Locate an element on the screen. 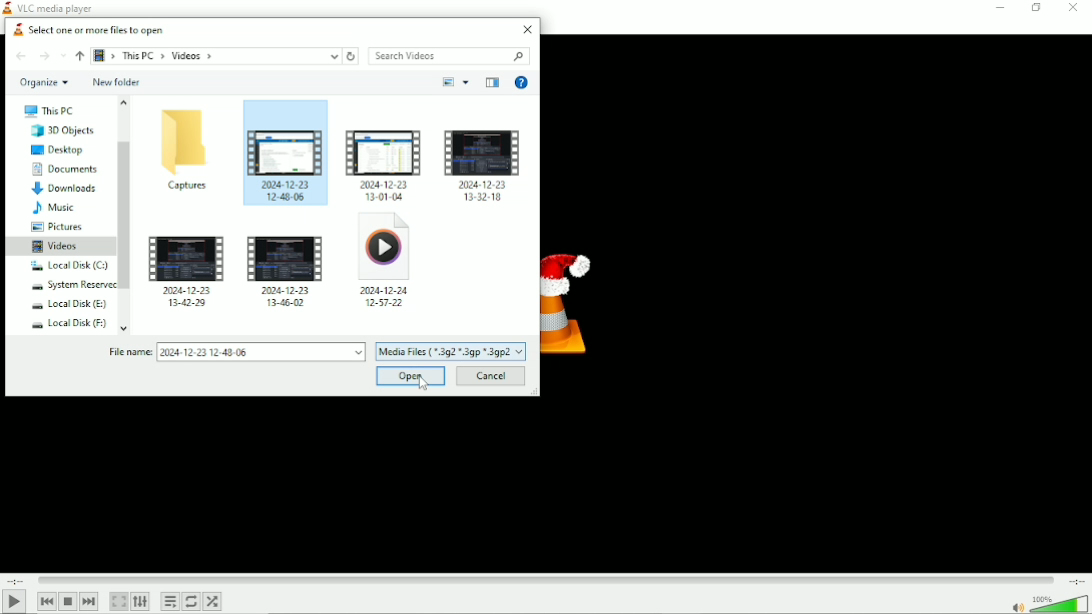 Image resolution: width=1092 pixels, height=614 pixels. Select one or more files to open is located at coordinates (85, 28).